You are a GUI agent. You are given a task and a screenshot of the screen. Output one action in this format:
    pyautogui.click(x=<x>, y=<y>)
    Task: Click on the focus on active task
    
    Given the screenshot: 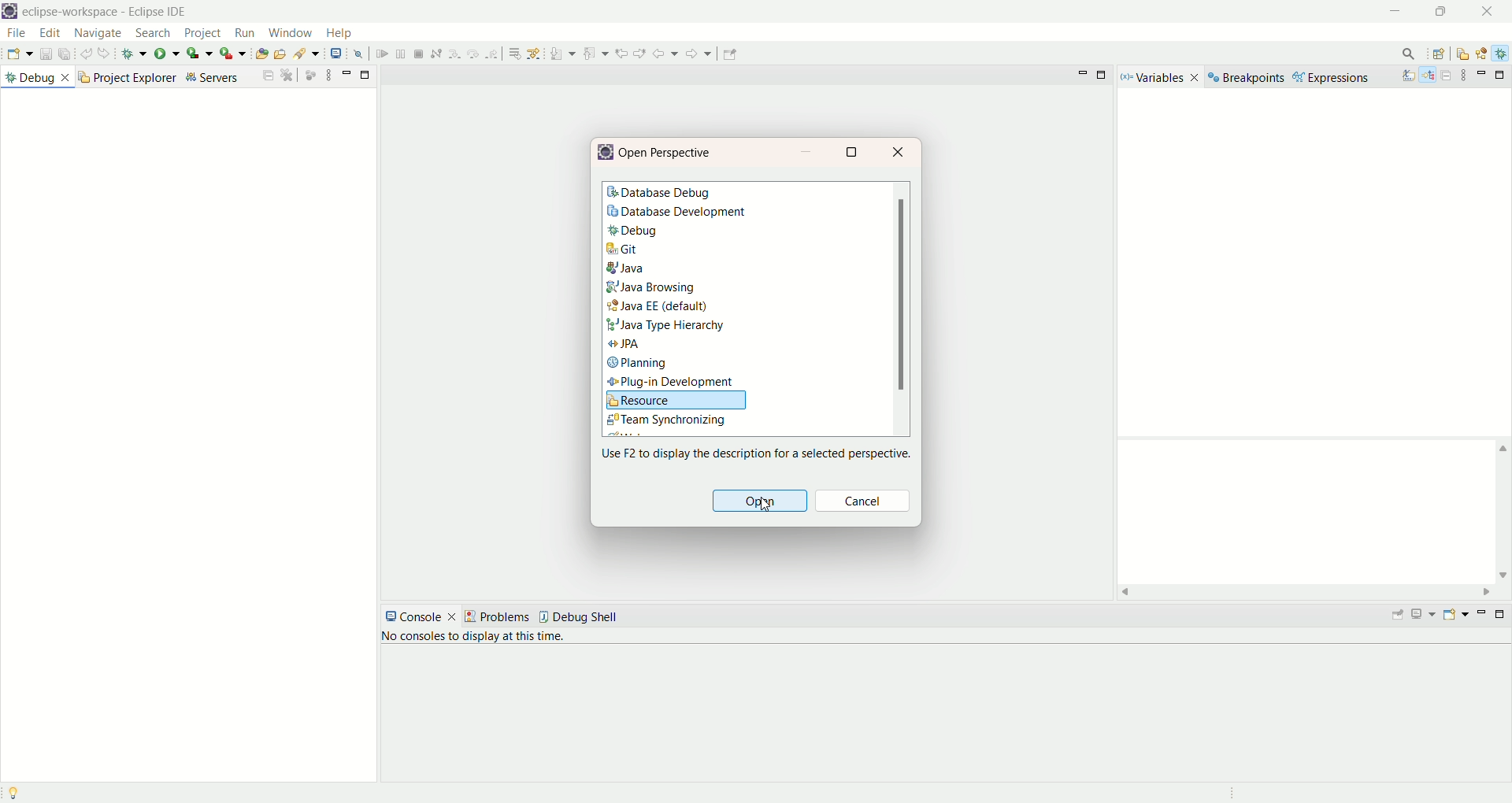 What is the action you would take?
    pyautogui.click(x=311, y=74)
    